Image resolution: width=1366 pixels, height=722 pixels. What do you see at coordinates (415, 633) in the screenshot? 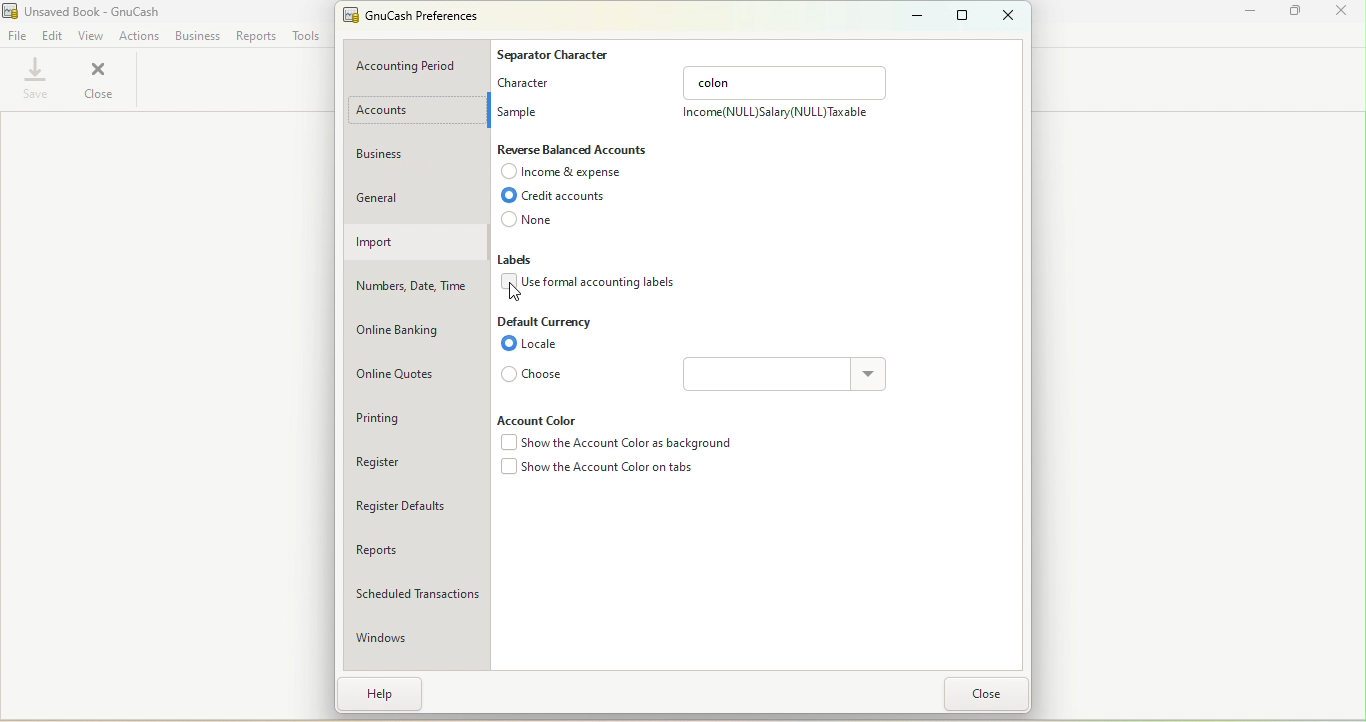
I see `Windows` at bounding box center [415, 633].